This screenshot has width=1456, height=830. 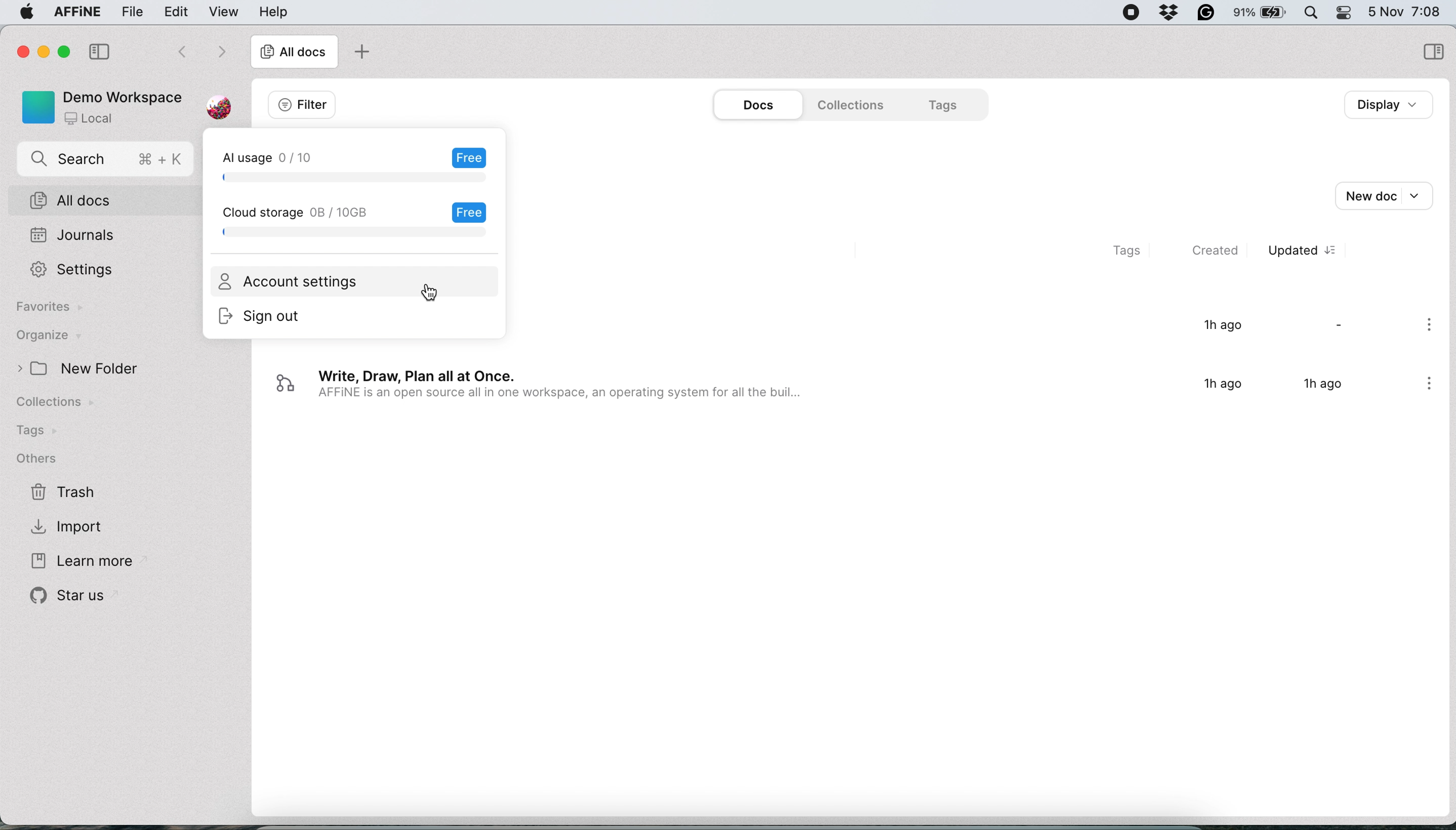 What do you see at coordinates (1408, 11) in the screenshot?
I see `date and time` at bounding box center [1408, 11].